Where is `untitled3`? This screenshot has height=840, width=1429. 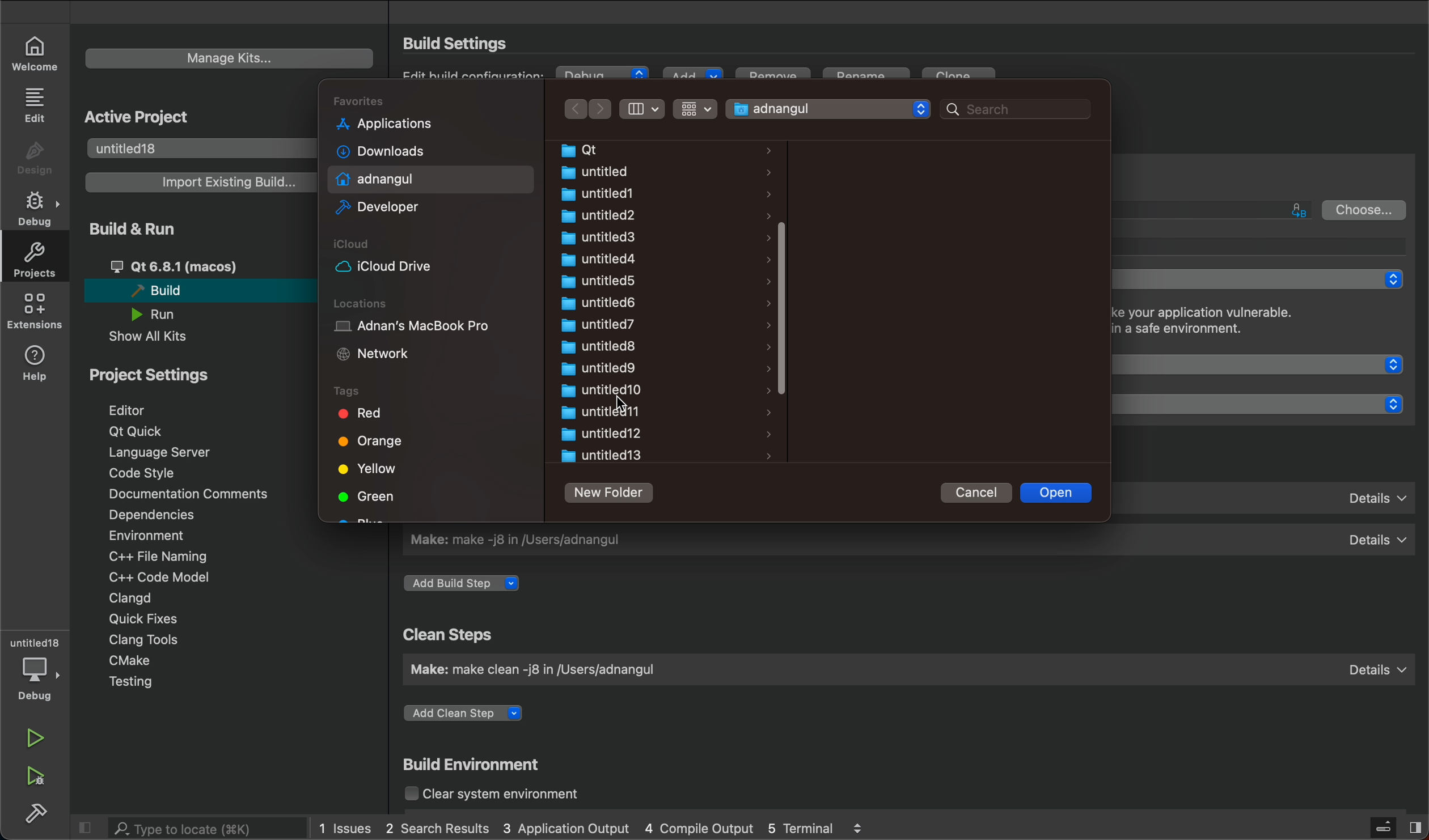
untitled3 is located at coordinates (648, 237).